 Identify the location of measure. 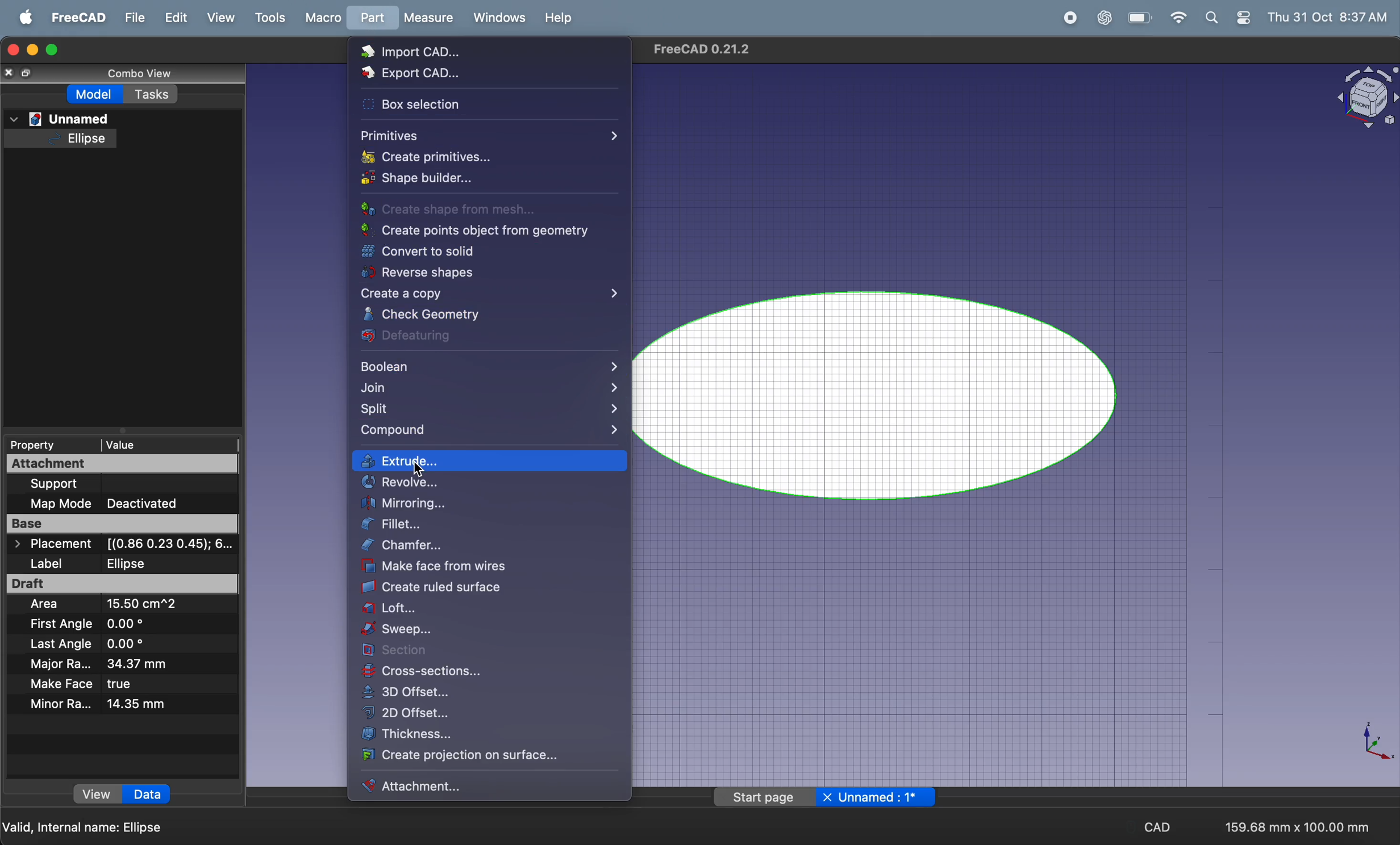
(423, 18).